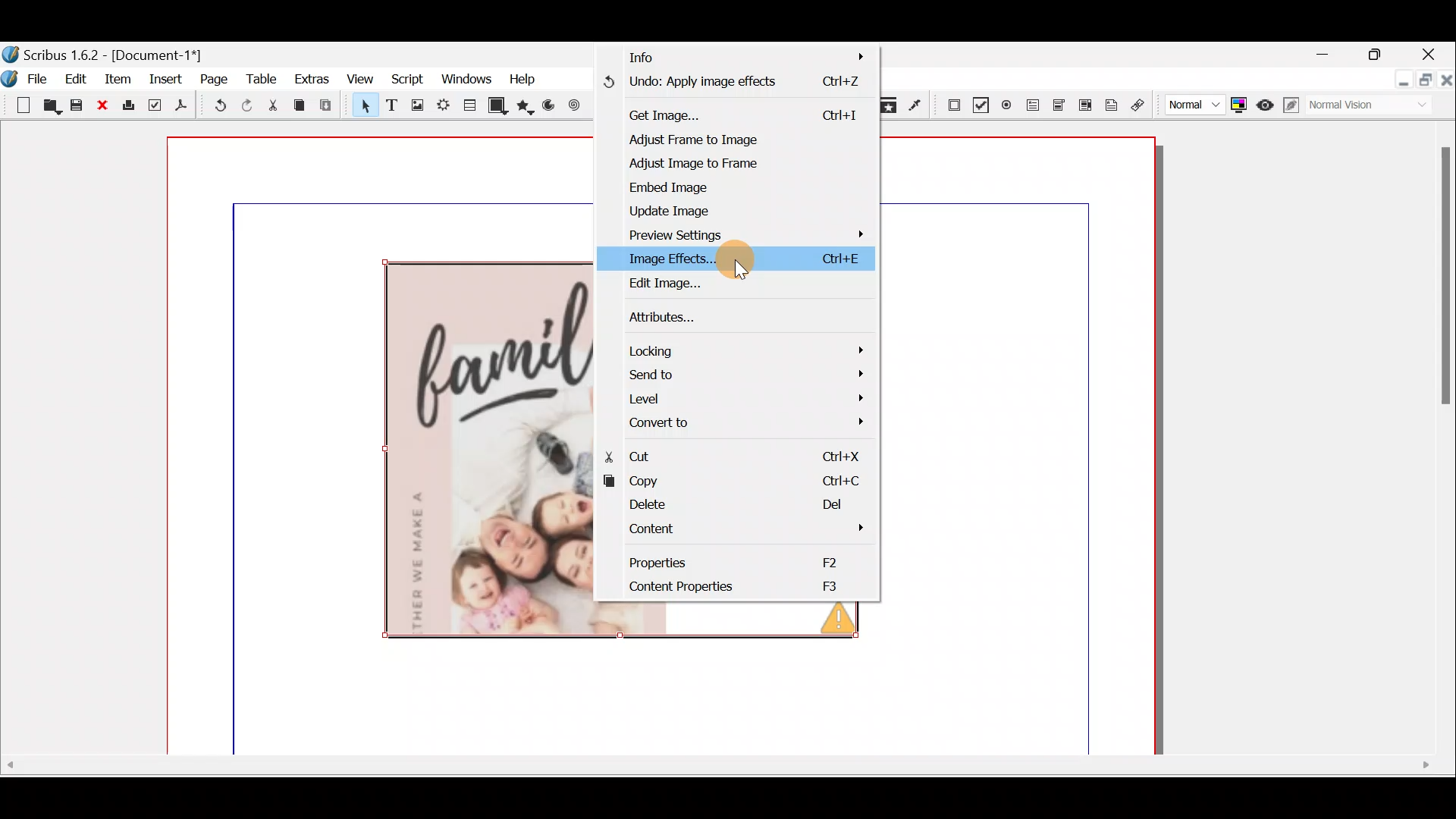  I want to click on Update image, so click(673, 210).